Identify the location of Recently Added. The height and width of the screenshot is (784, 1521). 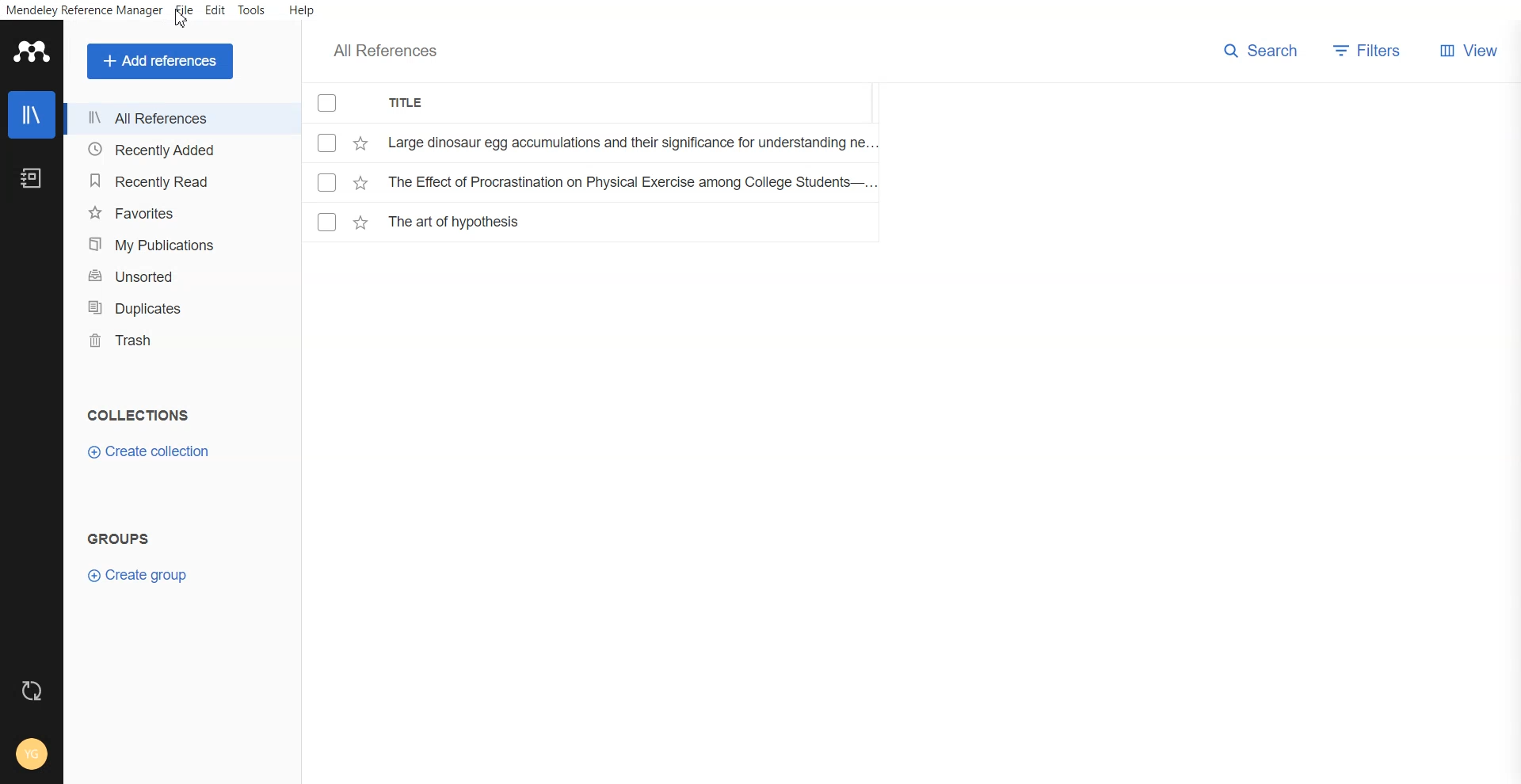
(169, 152).